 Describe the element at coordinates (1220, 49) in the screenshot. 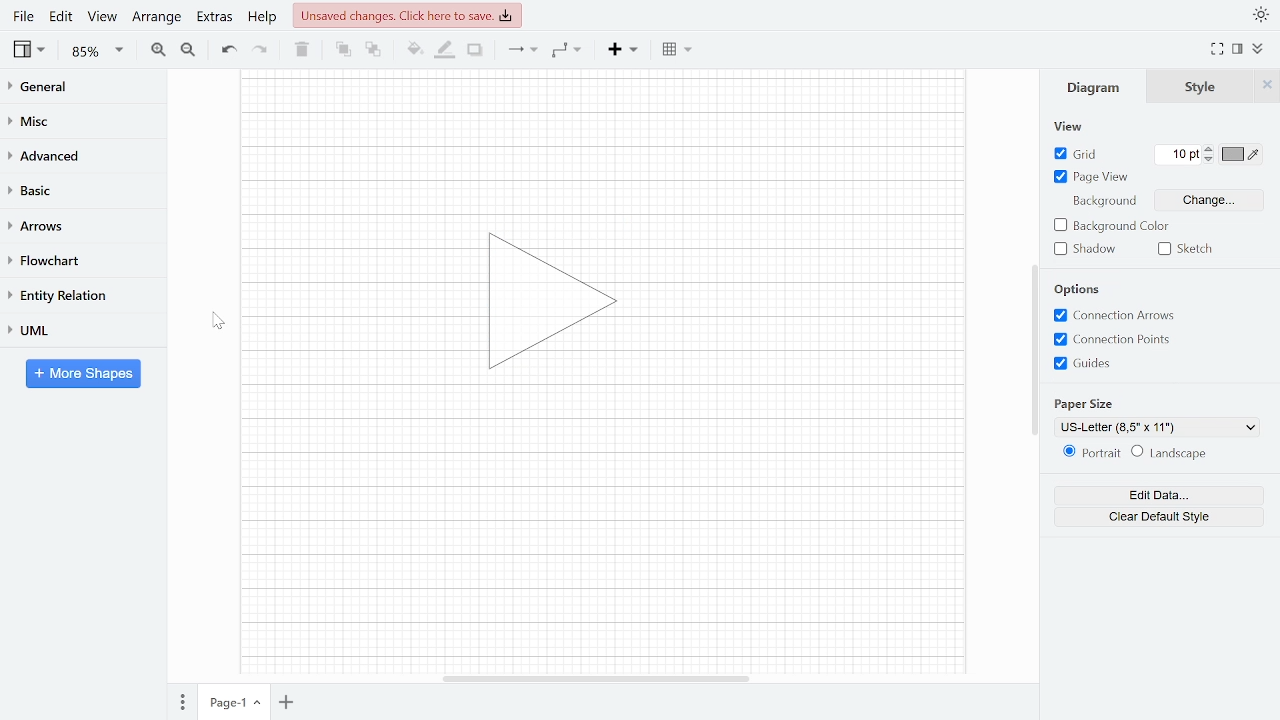

I see `Fullscreen` at that location.